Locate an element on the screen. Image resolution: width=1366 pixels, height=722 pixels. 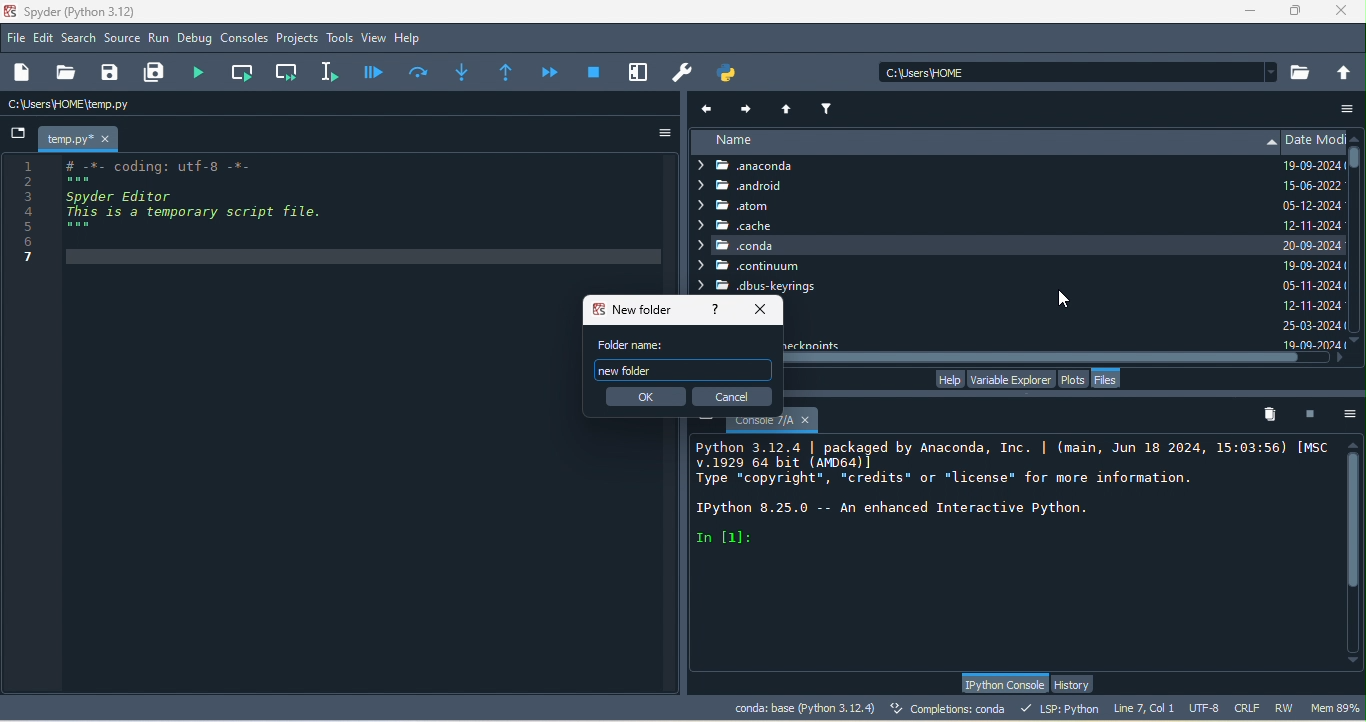
source is located at coordinates (123, 40).